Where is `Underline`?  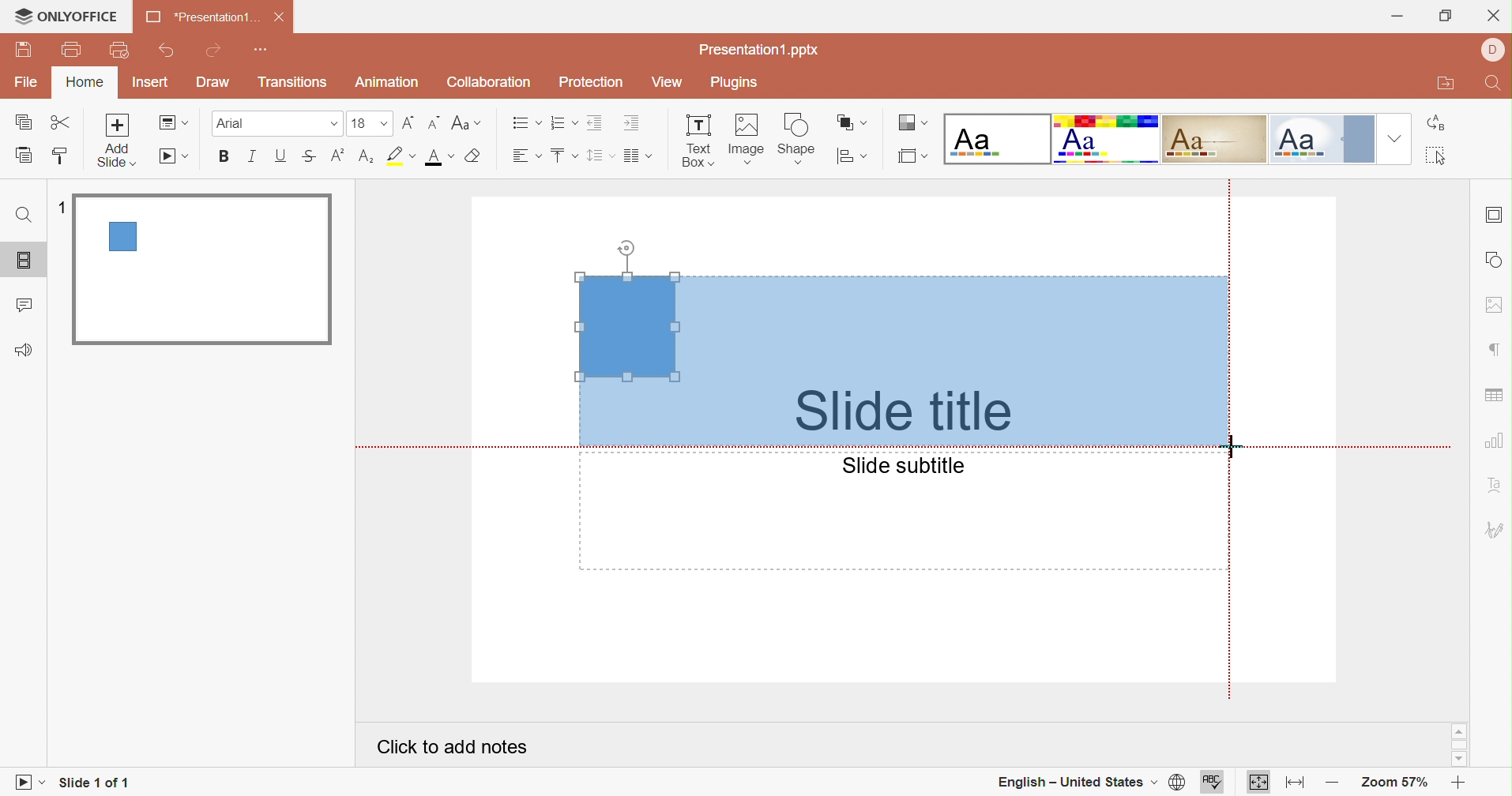 Underline is located at coordinates (278, 157).